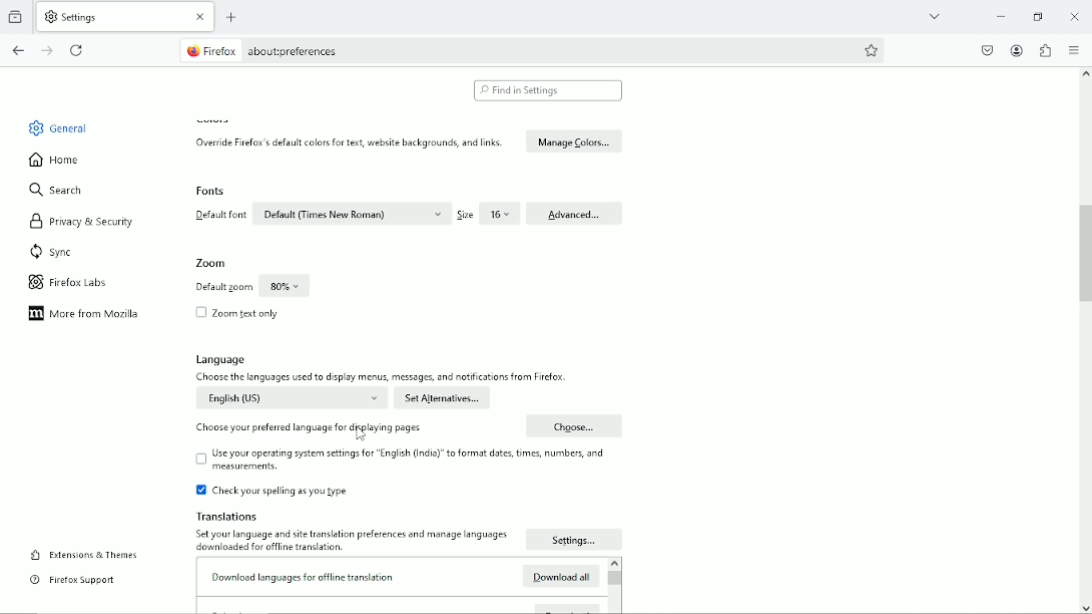 This screenshot has height=614, width=1092. Describe the element at coordinates (575, 539) in the screenshot. I see `Settings...` at that location.